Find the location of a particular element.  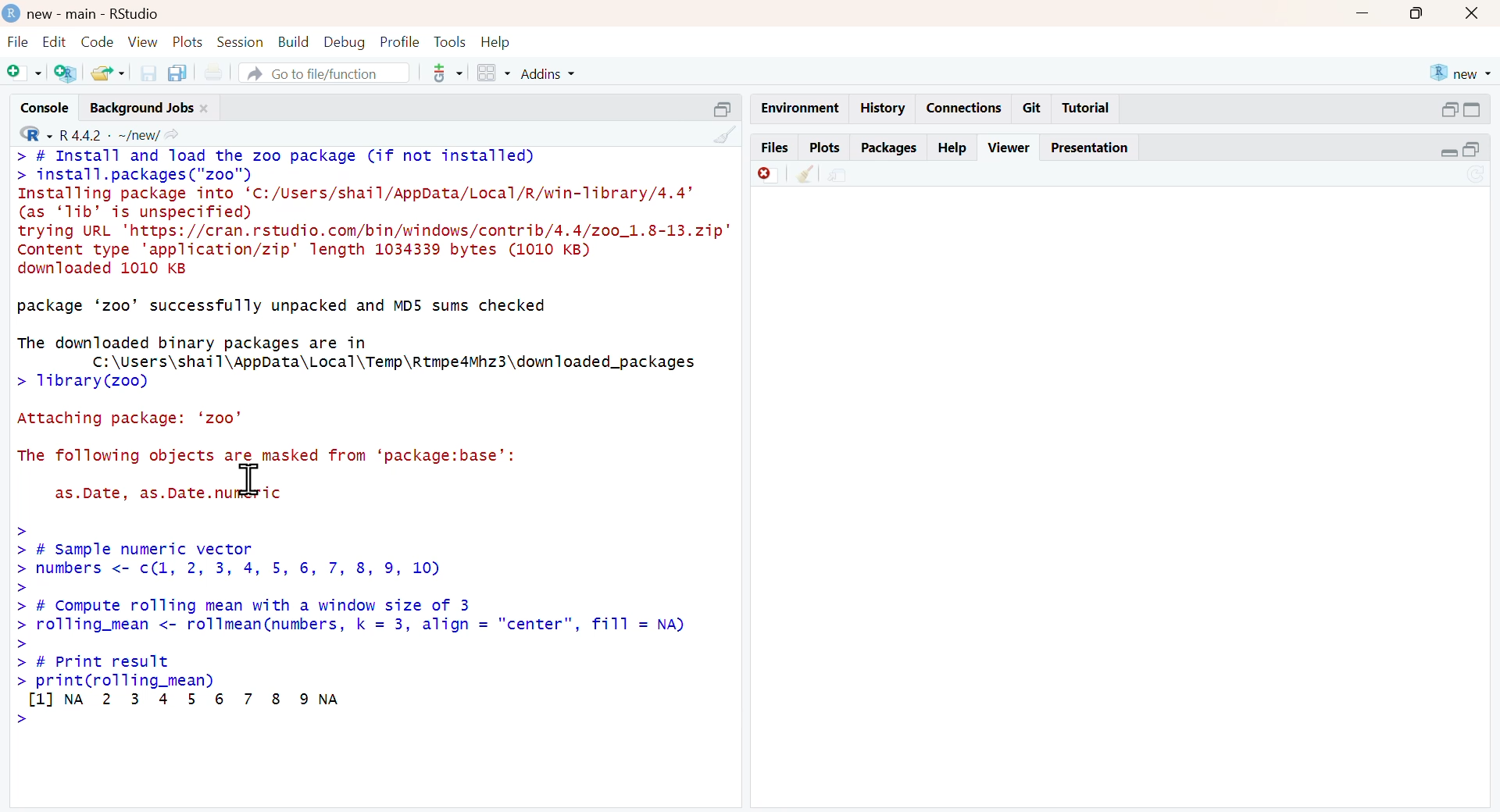

help is located at coordinates (954, 148).